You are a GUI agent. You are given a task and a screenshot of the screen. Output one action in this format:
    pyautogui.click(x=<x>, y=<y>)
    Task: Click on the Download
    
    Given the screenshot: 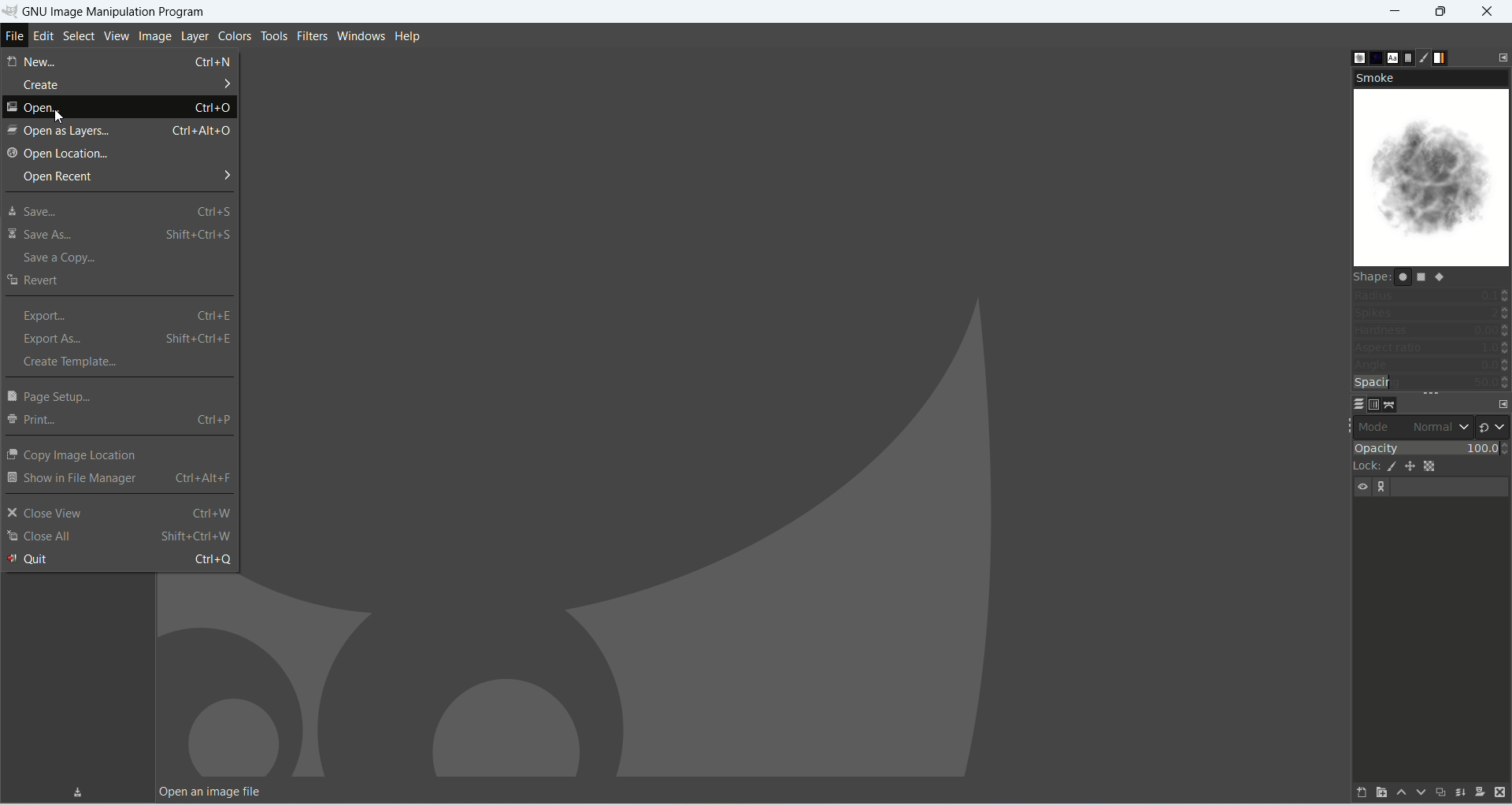 What is the action you would take?
    pyautogui.click(x=80, y=789)
    